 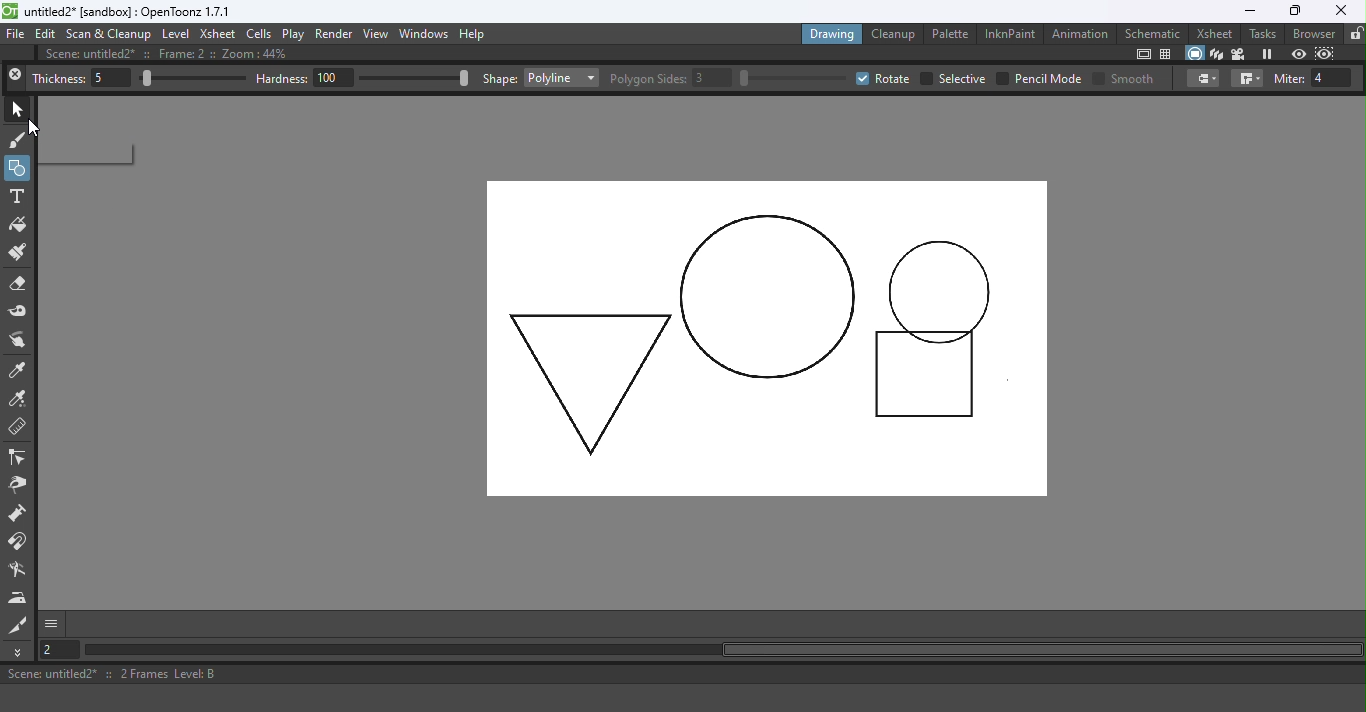 What do you see at coordinates (883, 79) in the screenshot?
I see `rotate` at bounding box center [883, 79].